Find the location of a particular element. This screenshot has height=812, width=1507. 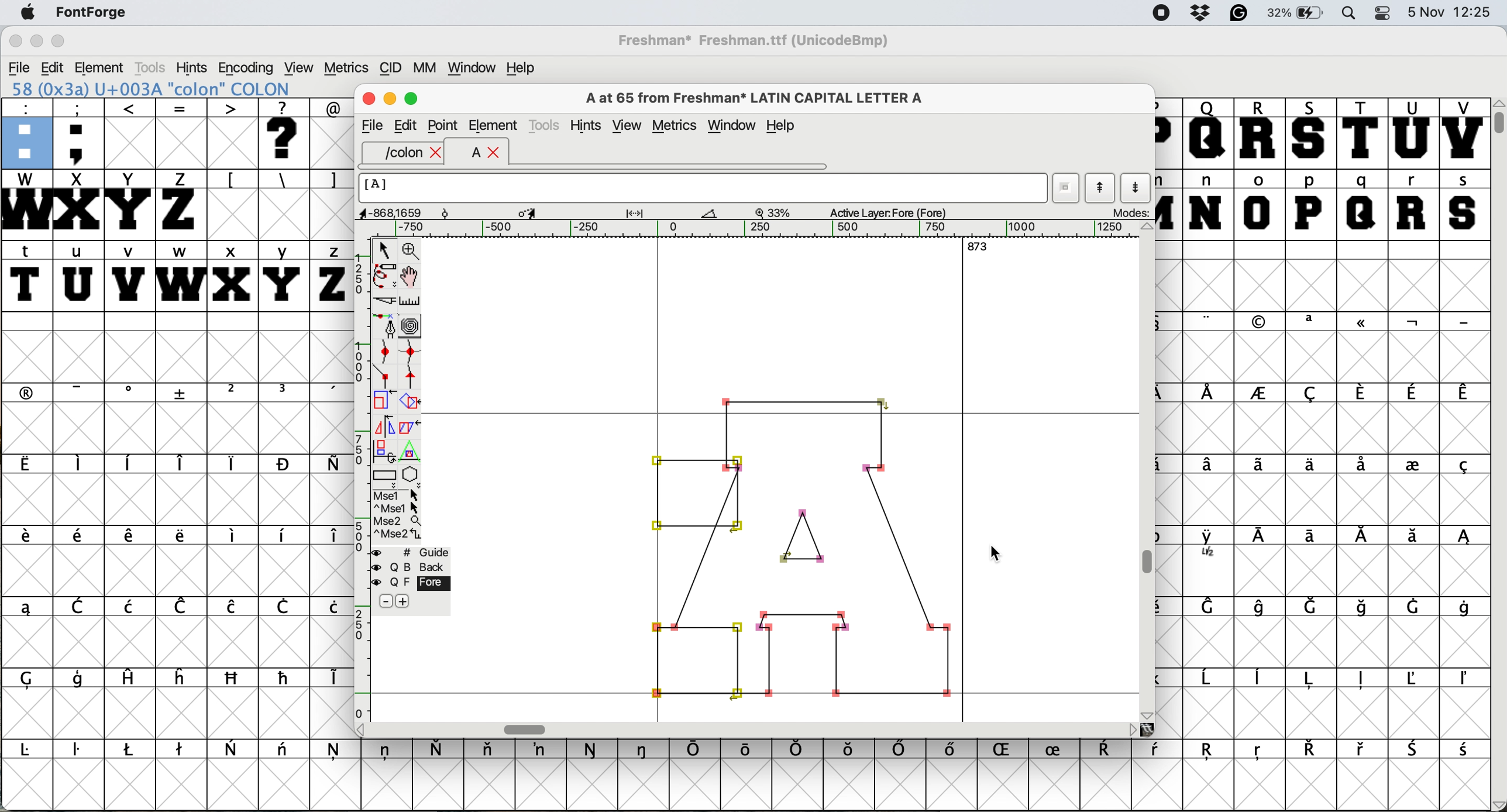

symbol is located at coordinates (387, 752).